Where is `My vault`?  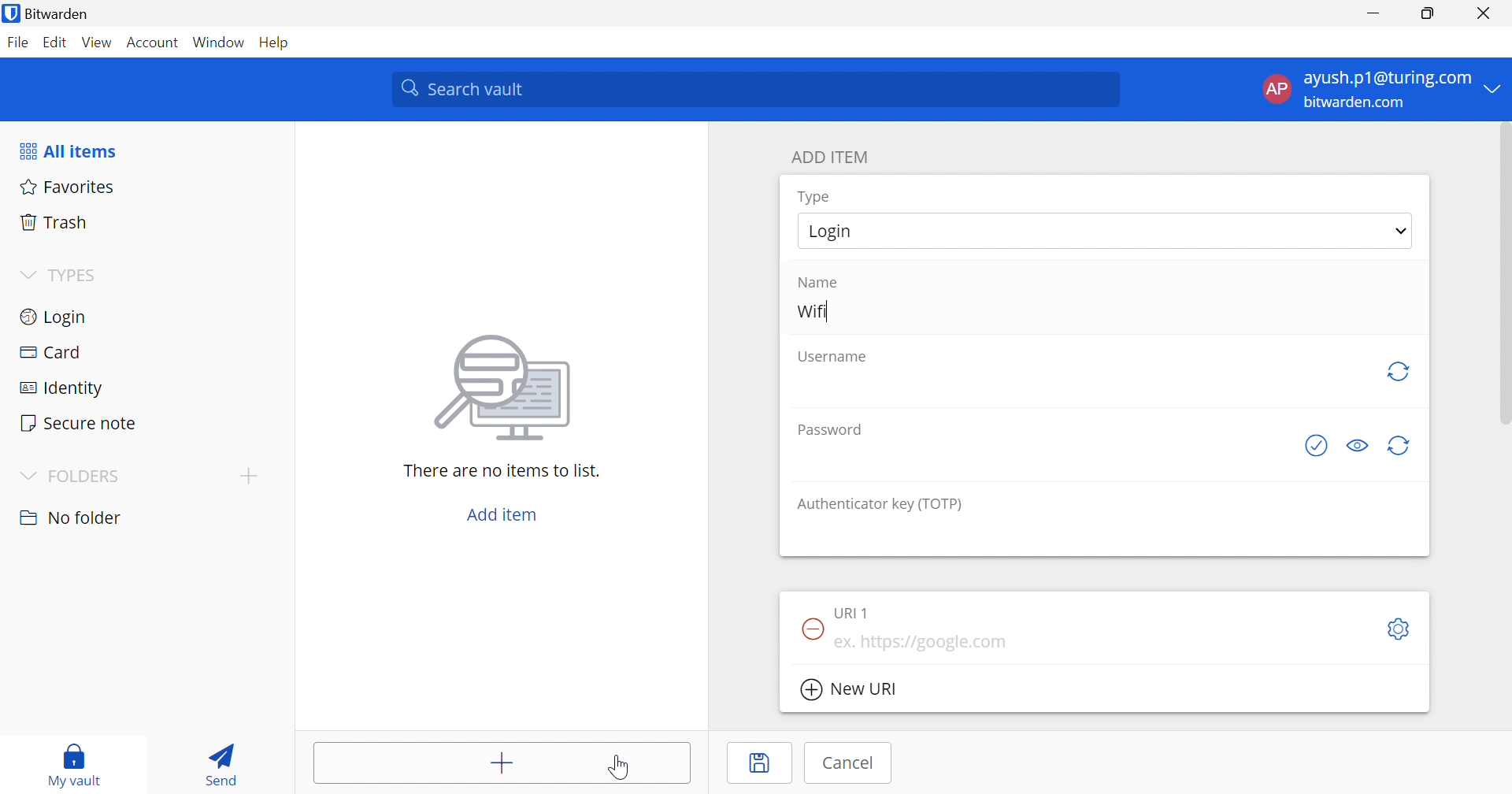 My vault is located at coordinates (75, 757).